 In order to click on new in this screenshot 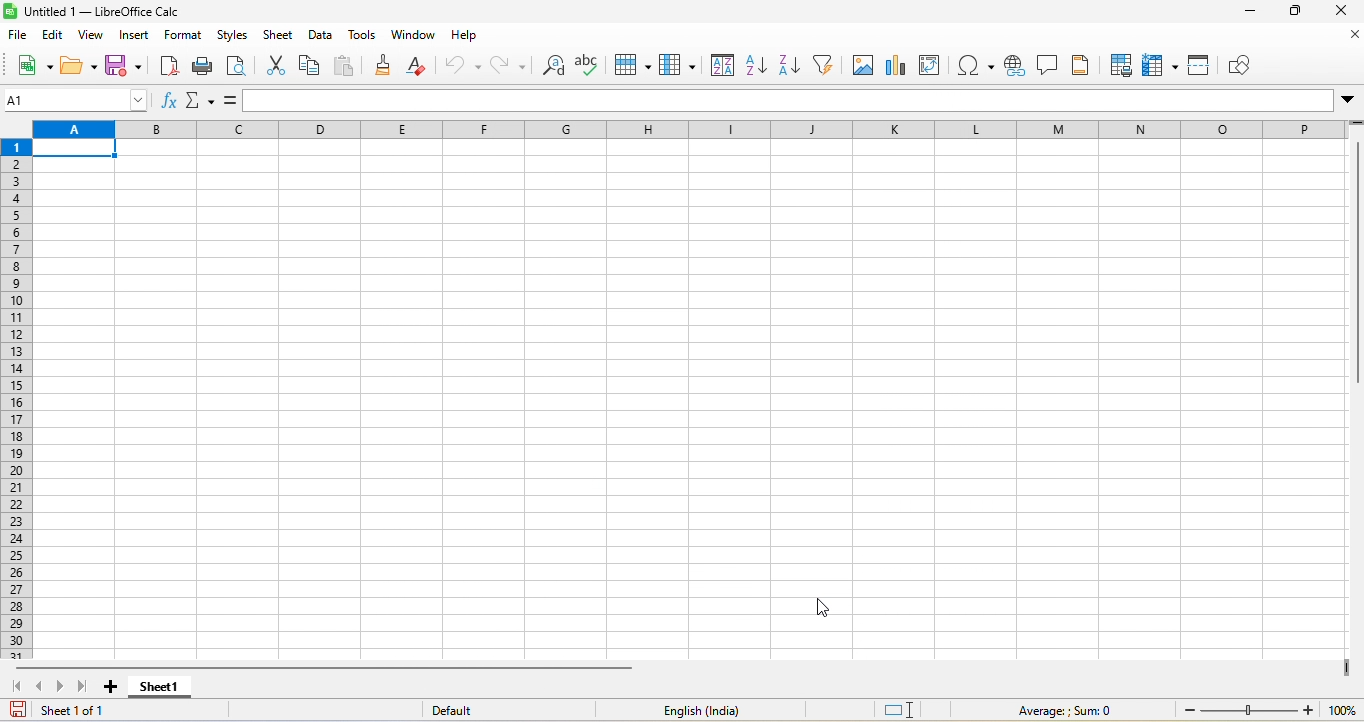, I will do `click(32, 67)`.